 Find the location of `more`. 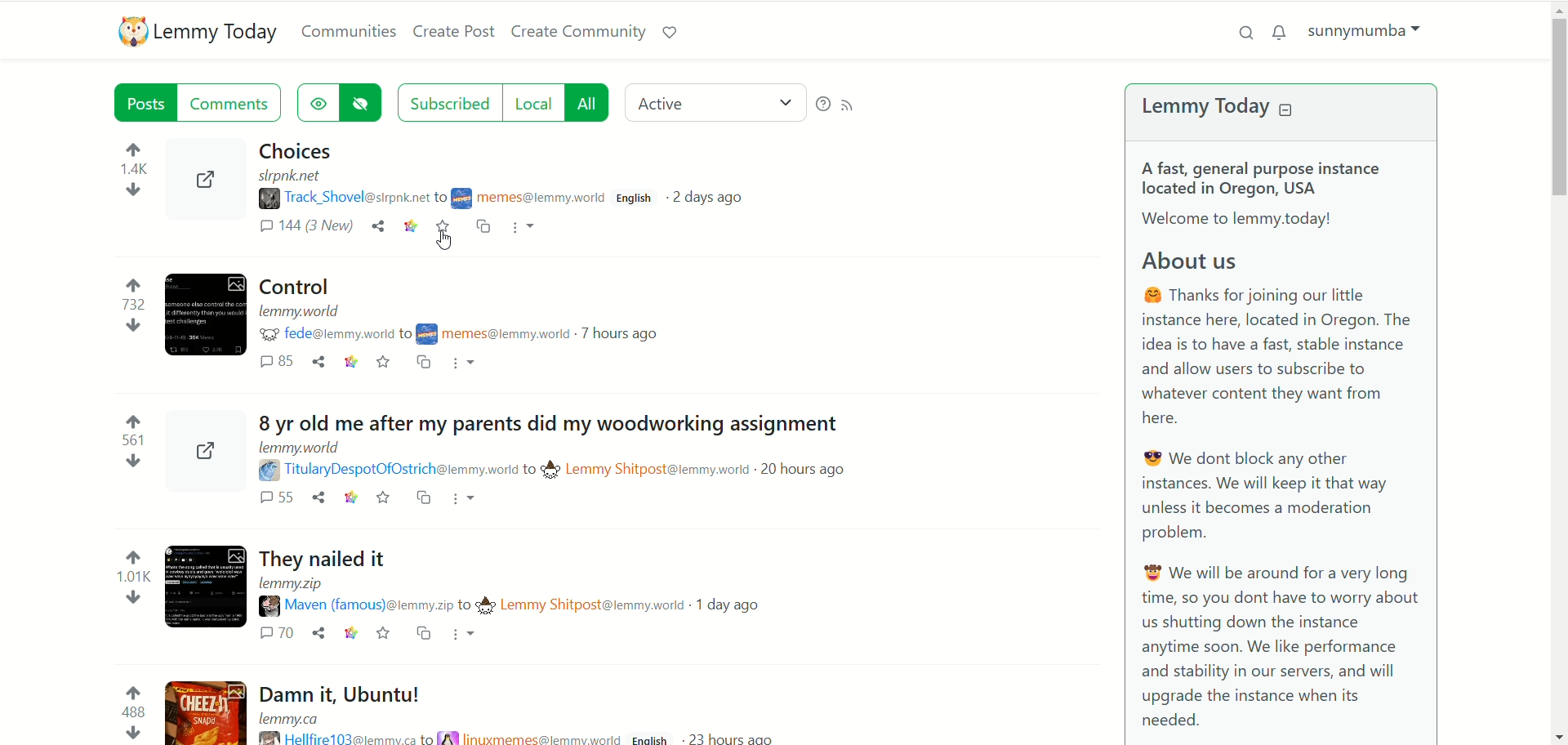

more is located at coordinates (528, 228).